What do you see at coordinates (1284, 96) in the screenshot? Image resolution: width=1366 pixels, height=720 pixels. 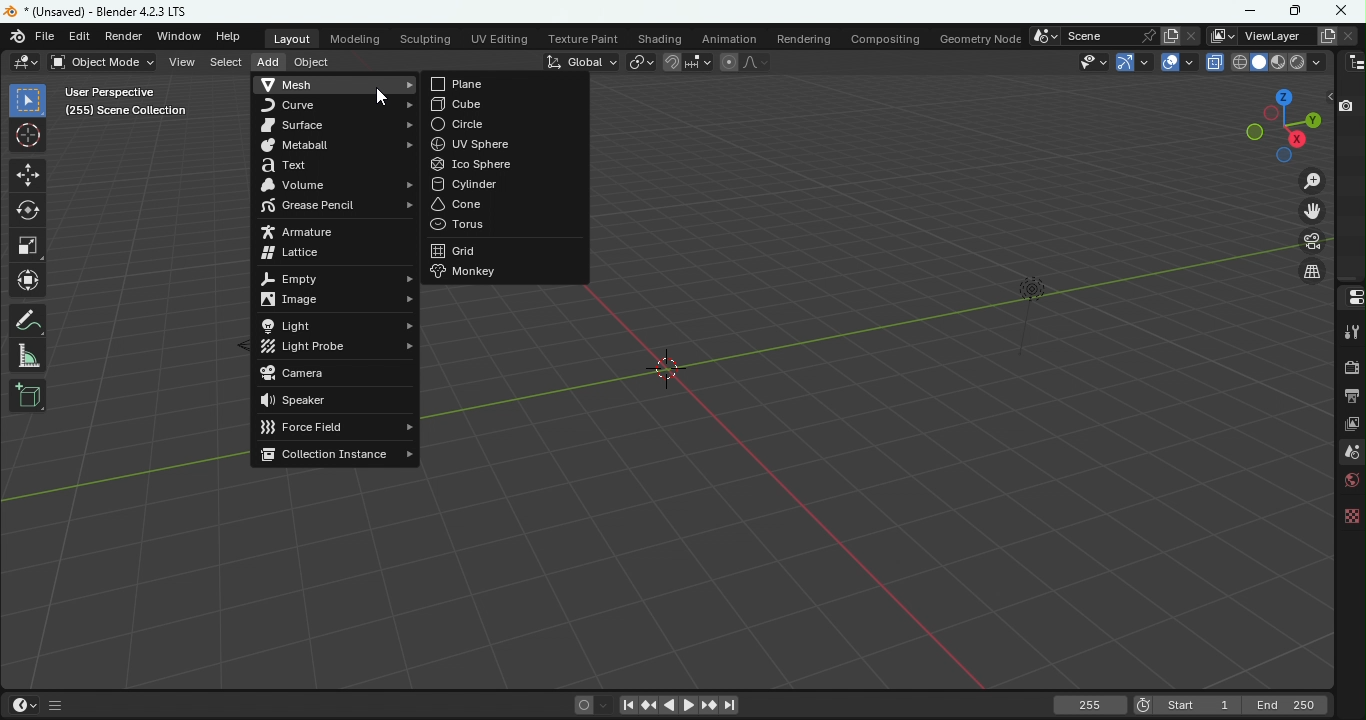 I see `Rotate the scene` at bounding box center [1284, 96].